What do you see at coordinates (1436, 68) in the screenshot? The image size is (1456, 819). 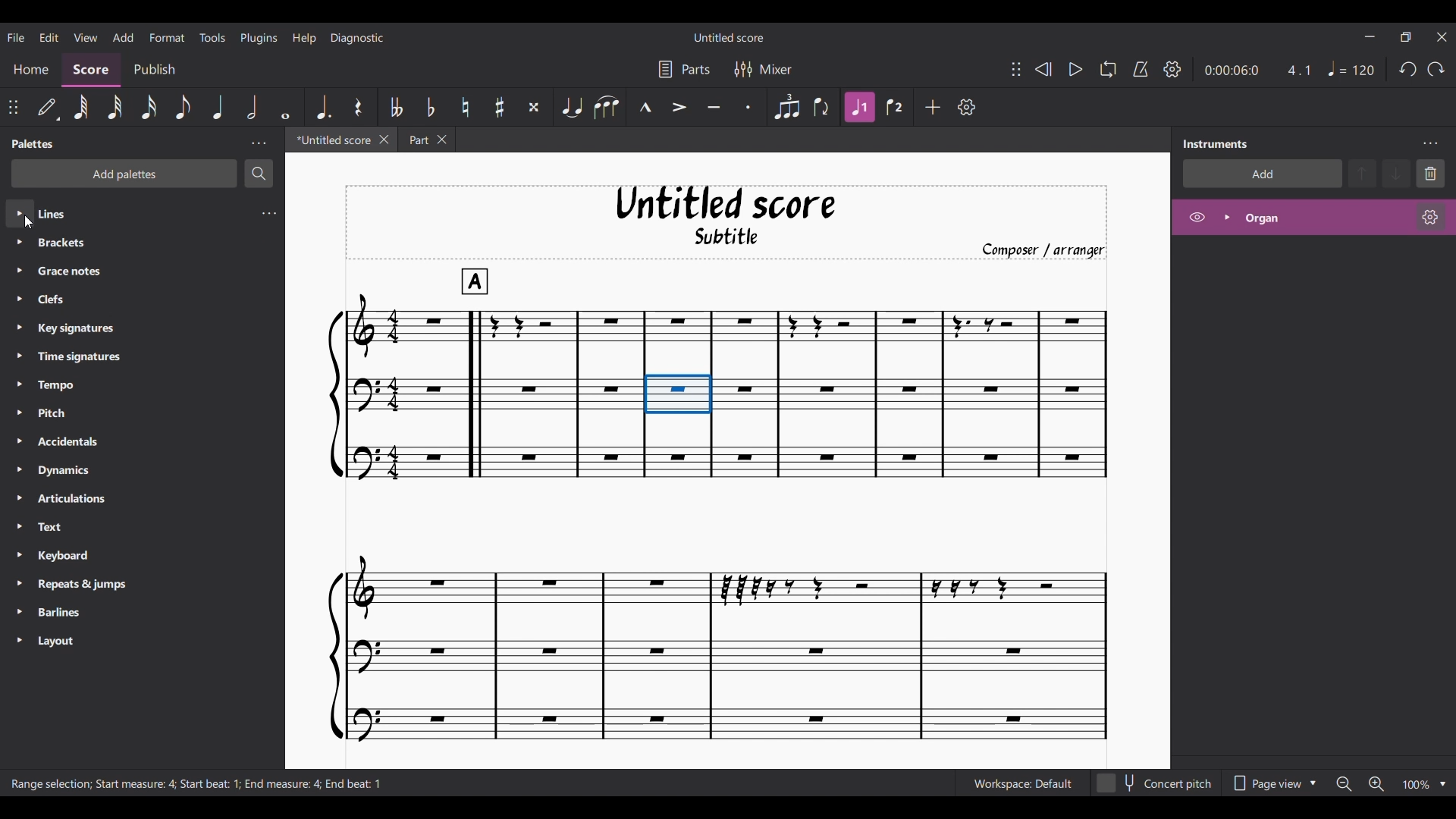 I see `Redo` at bounding box center [1436, 68].